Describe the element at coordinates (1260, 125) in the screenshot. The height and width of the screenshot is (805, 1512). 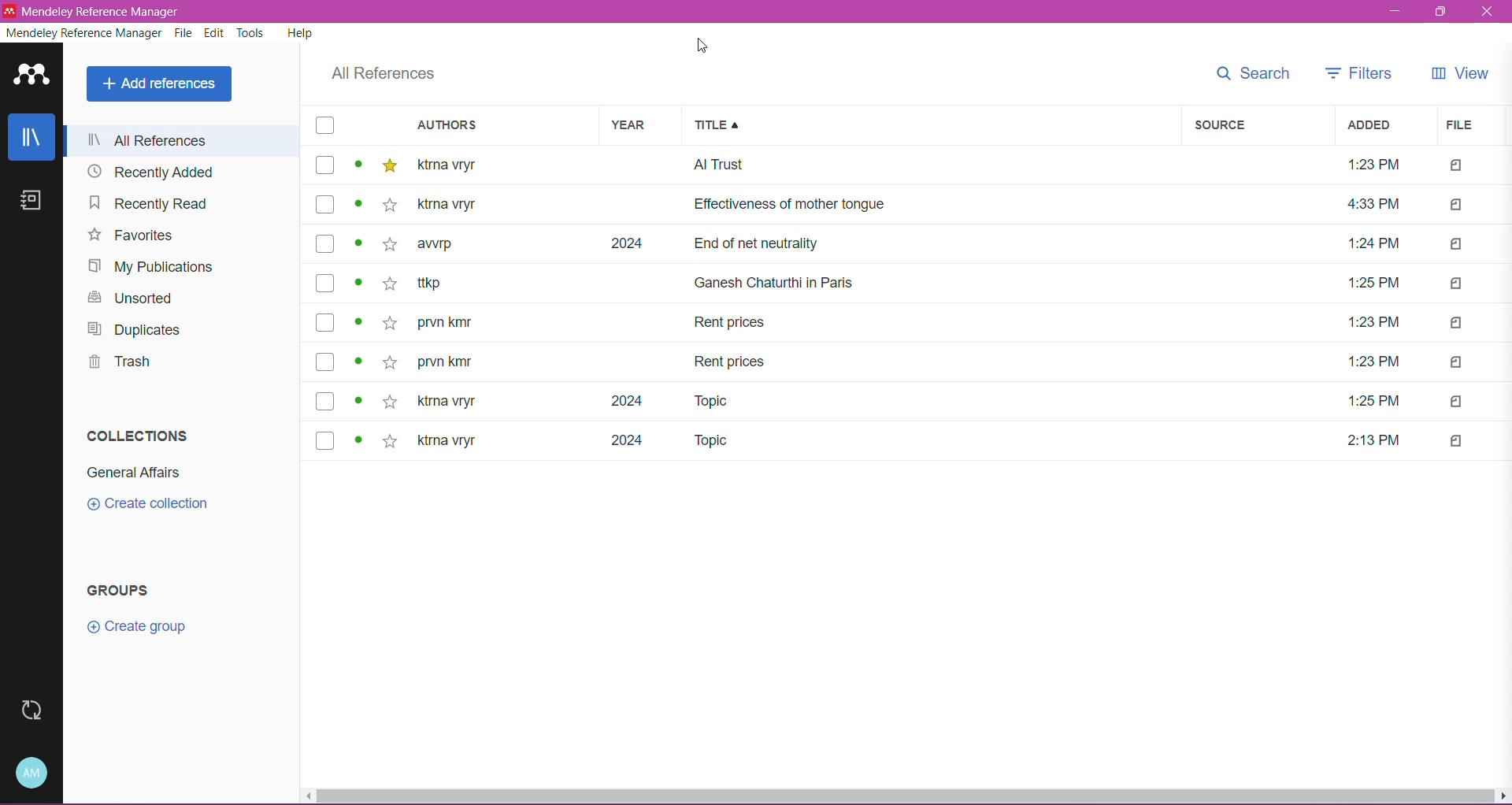
I see `Source` at that location.